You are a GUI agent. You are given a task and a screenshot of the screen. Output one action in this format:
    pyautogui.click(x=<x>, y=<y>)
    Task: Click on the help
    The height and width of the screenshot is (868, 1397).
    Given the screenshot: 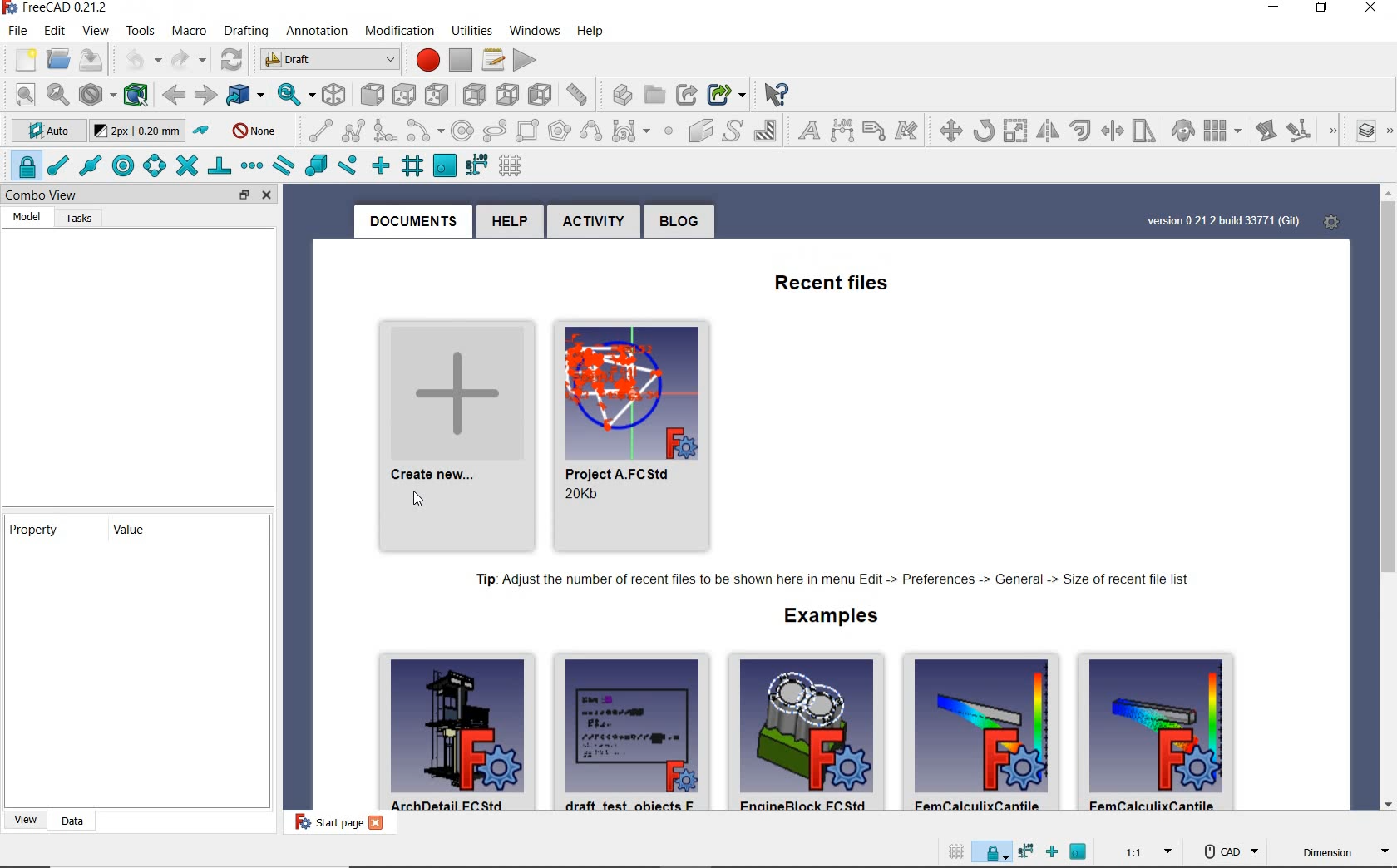 What is the action you would take?
    pyautogui.click(x=509, y=220)
    